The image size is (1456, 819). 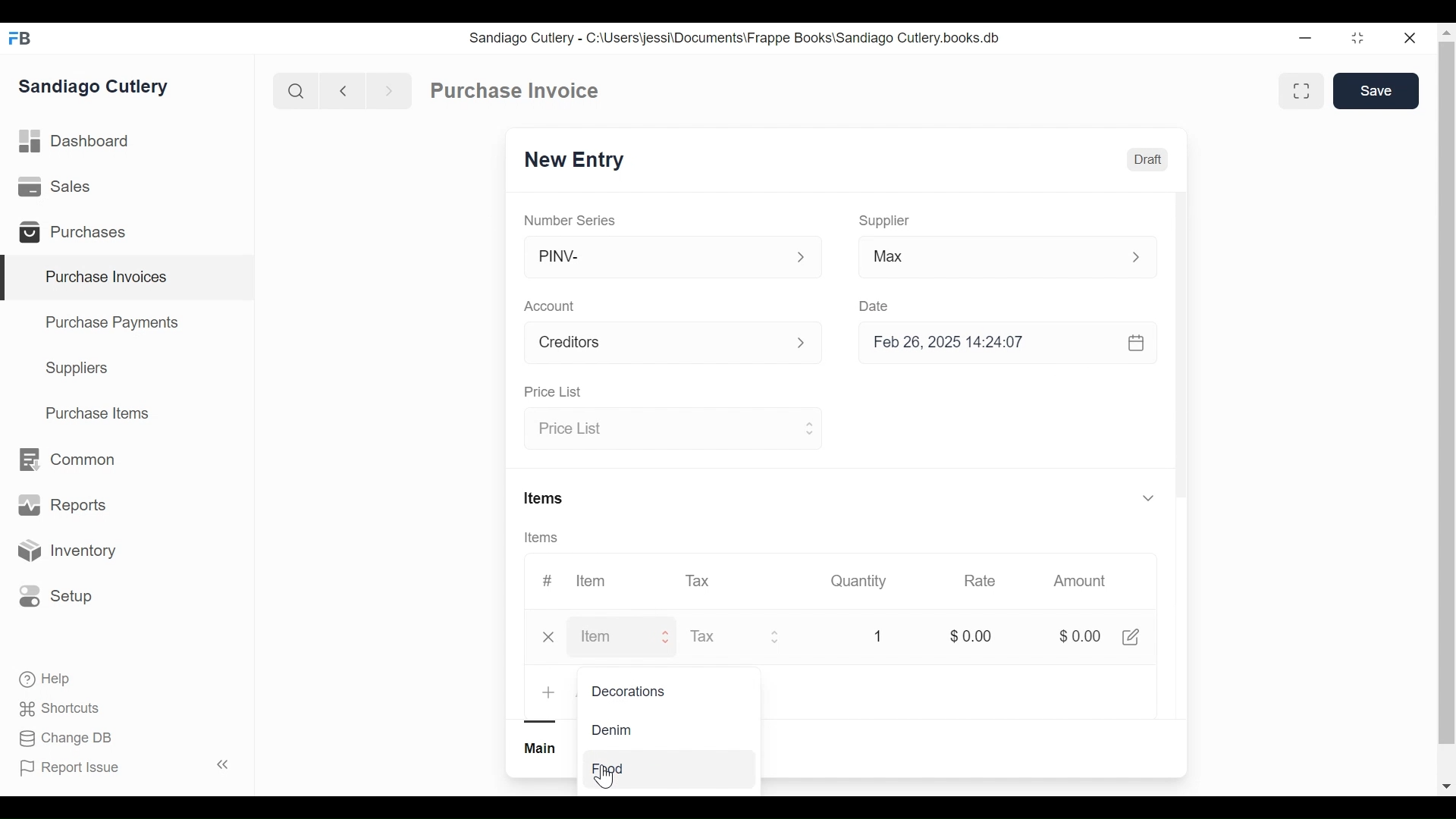 What do you see at coordinates (631, 692) in the screenshot?
I see `Decorations` at bounding box center [631, 692].